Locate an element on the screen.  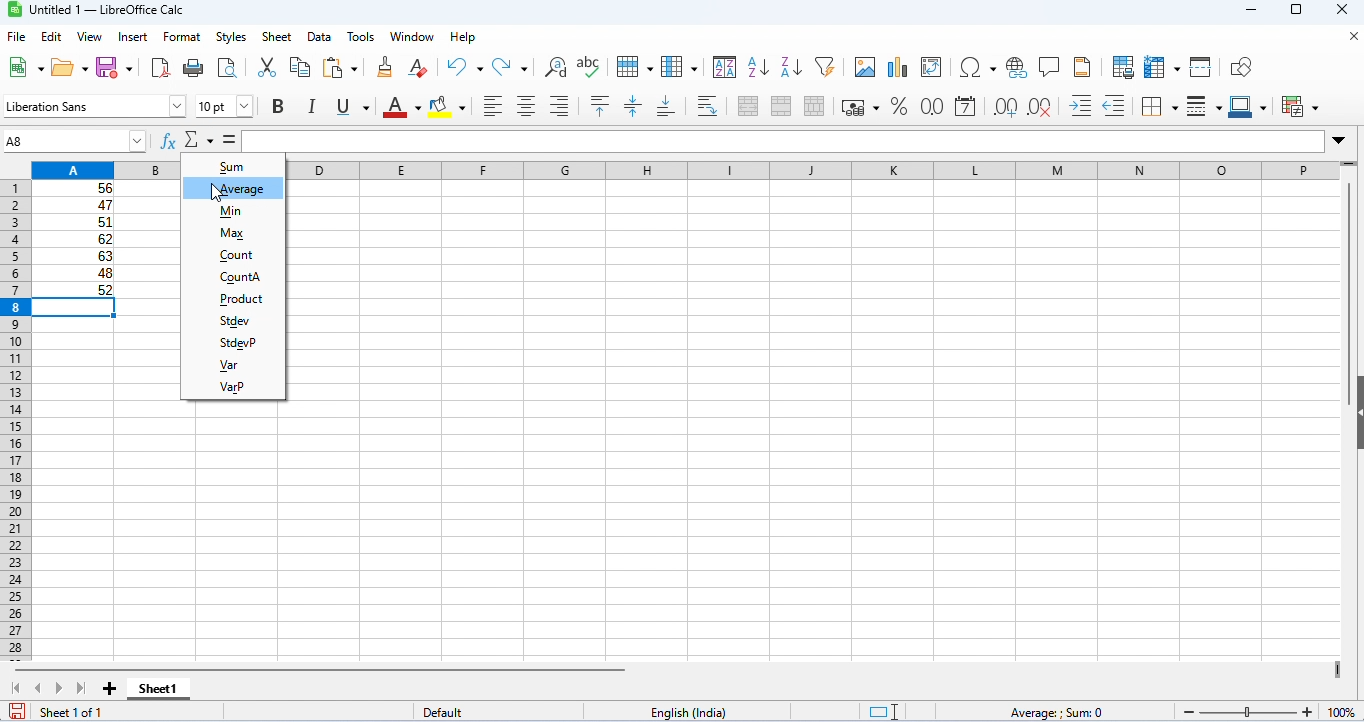
split window is located at coordinates (1203, 67).